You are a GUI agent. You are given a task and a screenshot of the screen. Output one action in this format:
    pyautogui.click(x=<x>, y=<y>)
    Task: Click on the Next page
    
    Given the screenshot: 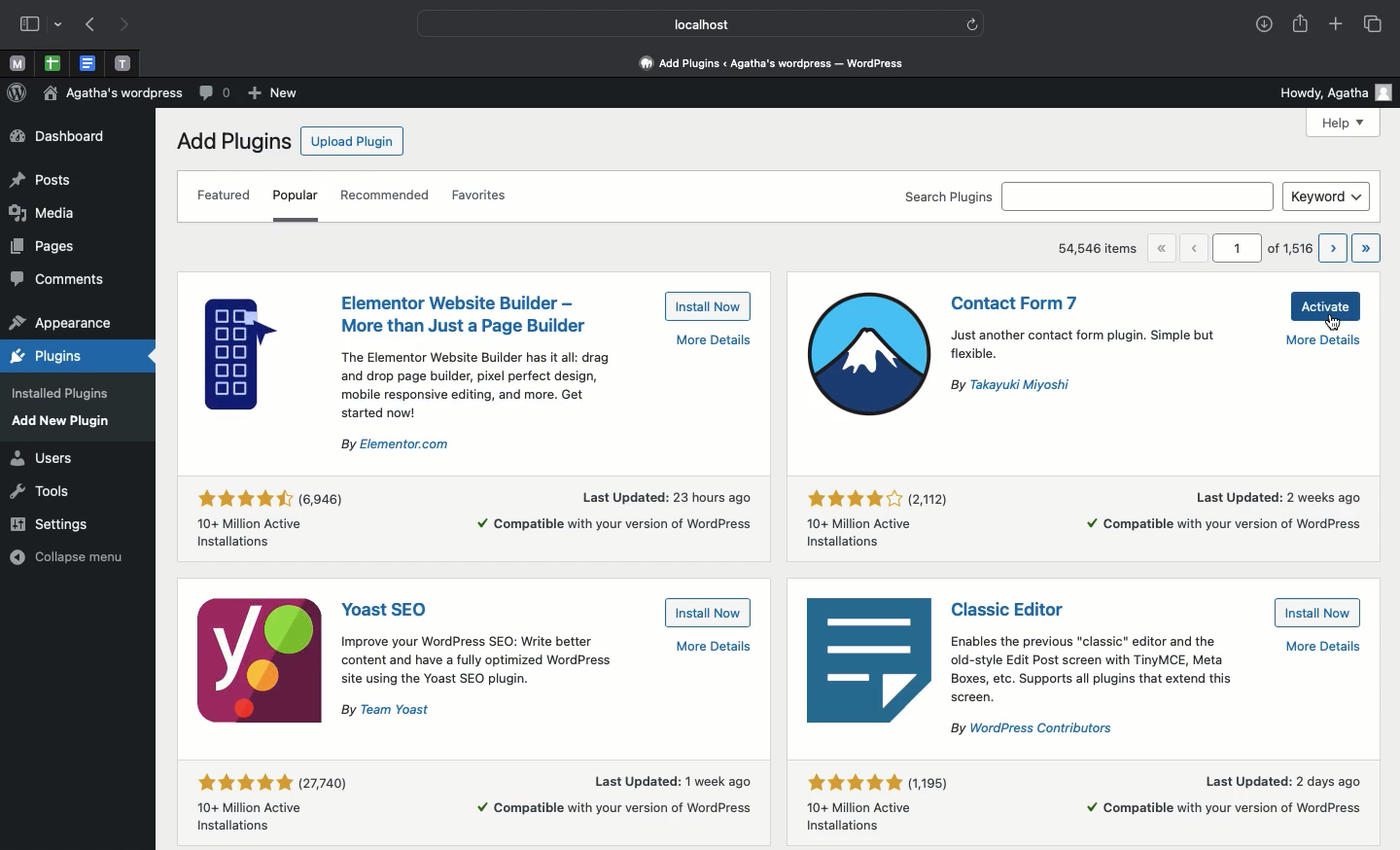 What is the action you would take?
    pyautogui.click(x=1333, y=248)
    